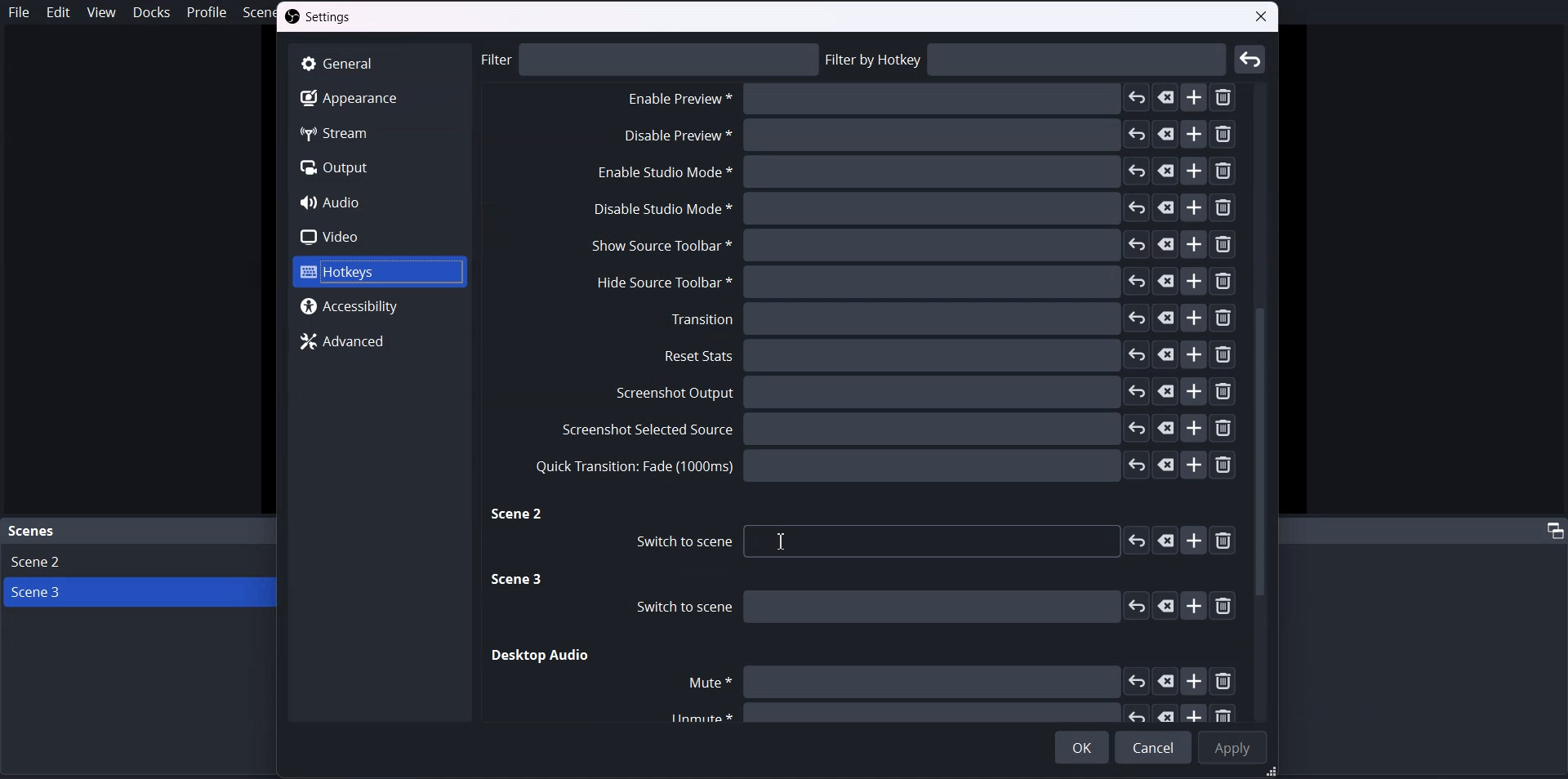 The width and height of the screenshot is (1568, 779). I want to click on Stream, so click(378, 132).